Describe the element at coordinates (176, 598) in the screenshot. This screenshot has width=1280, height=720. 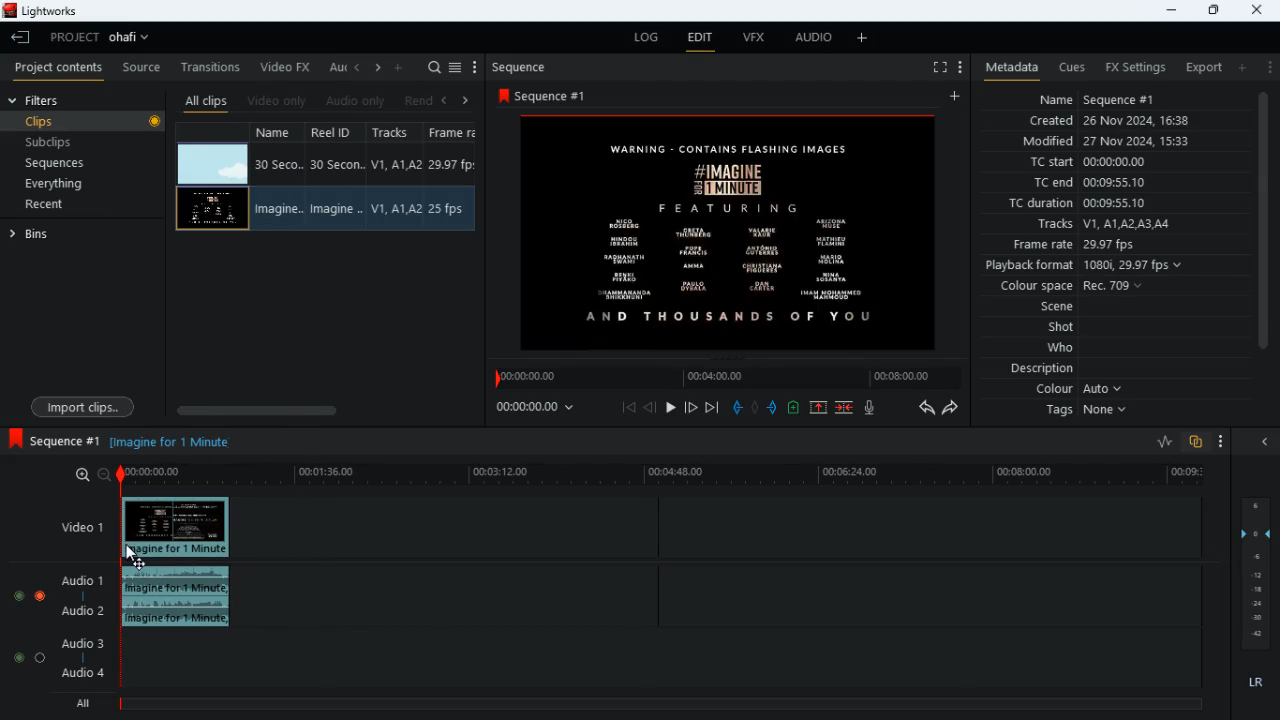
I see `audio` at that location.